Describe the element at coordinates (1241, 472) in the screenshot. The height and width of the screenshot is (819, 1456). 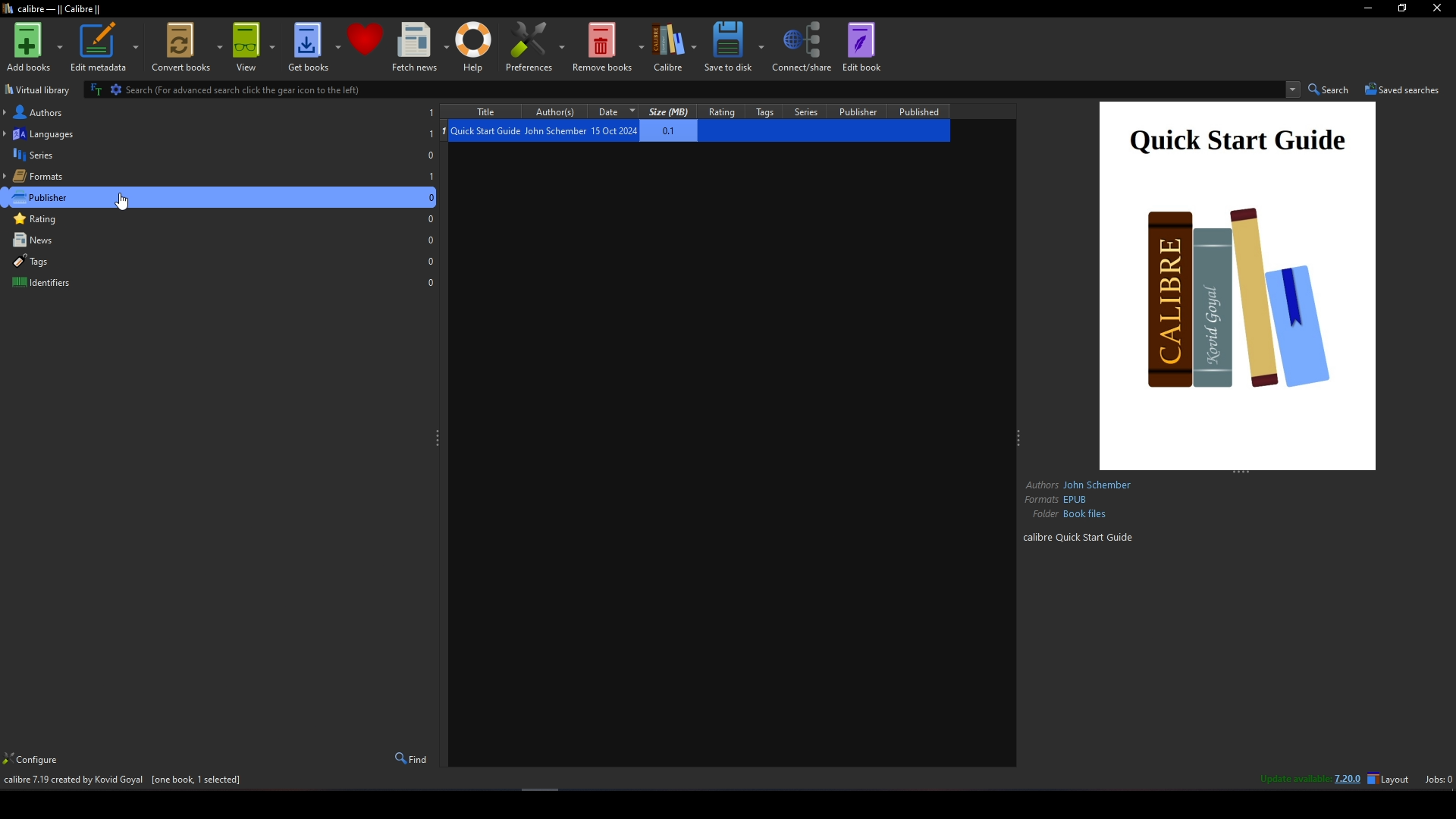
I see `Book cover slider` at that location.